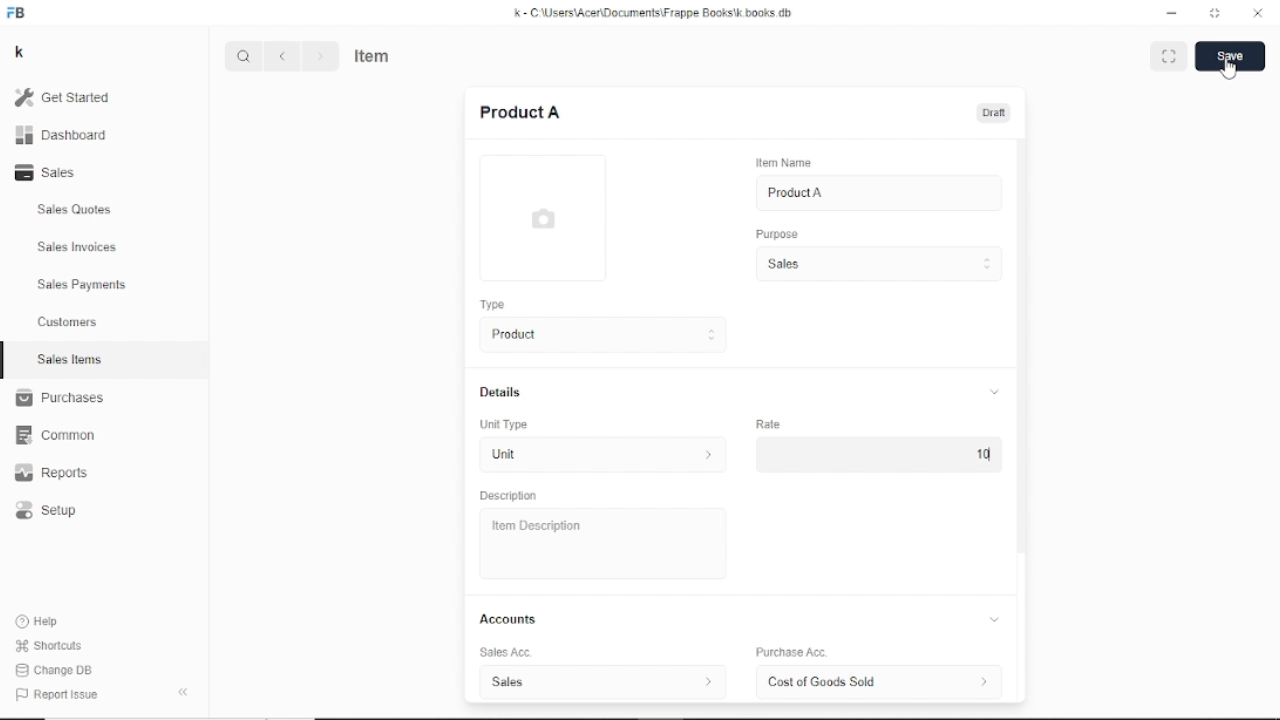  What do you see at coordinates (520, 112) in the screenshot?
I see `New Entry` at bounding box center [520, 112].